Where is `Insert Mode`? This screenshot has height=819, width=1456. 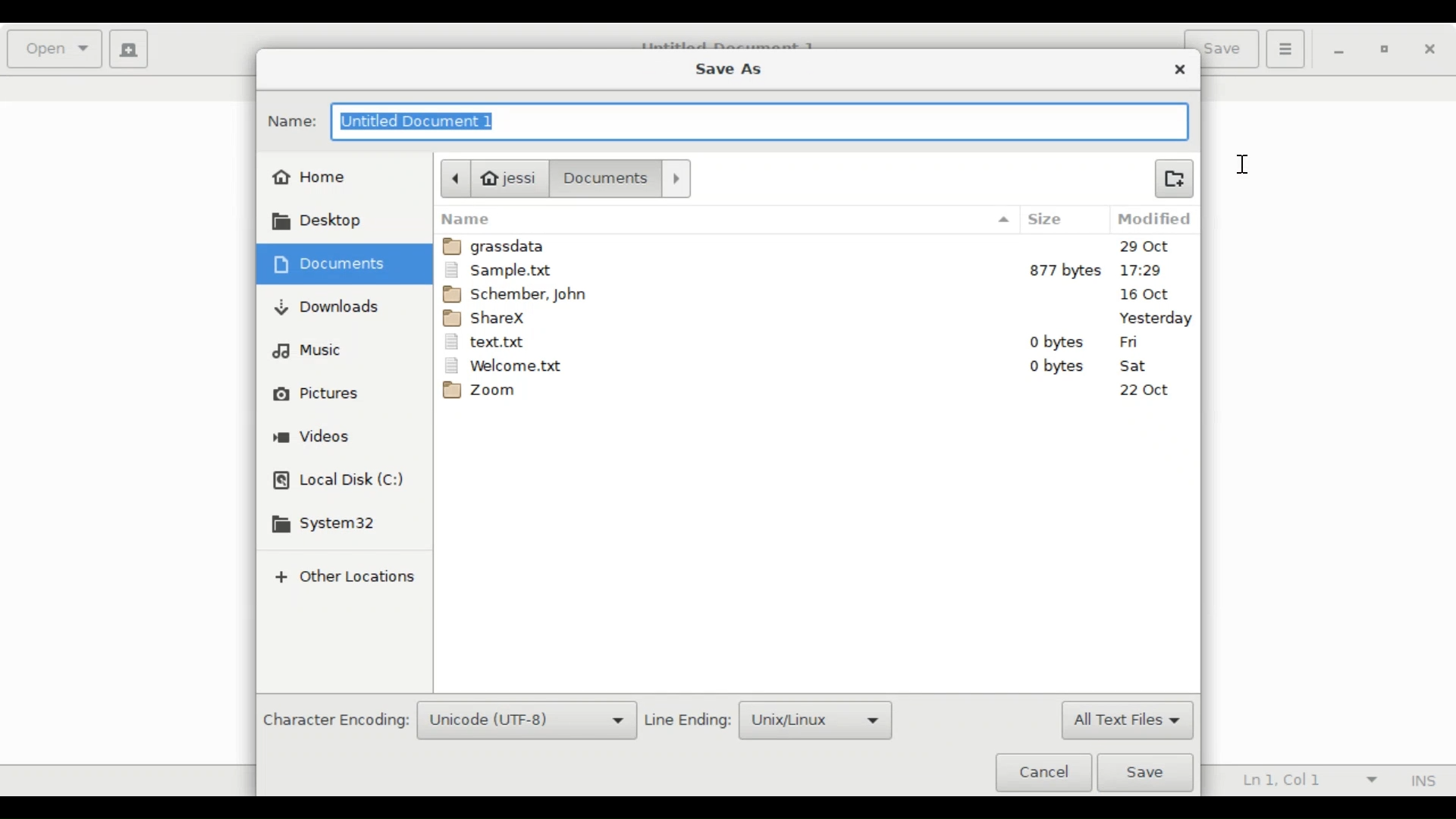
Insert Mode is located at coordinates (1420, 781).